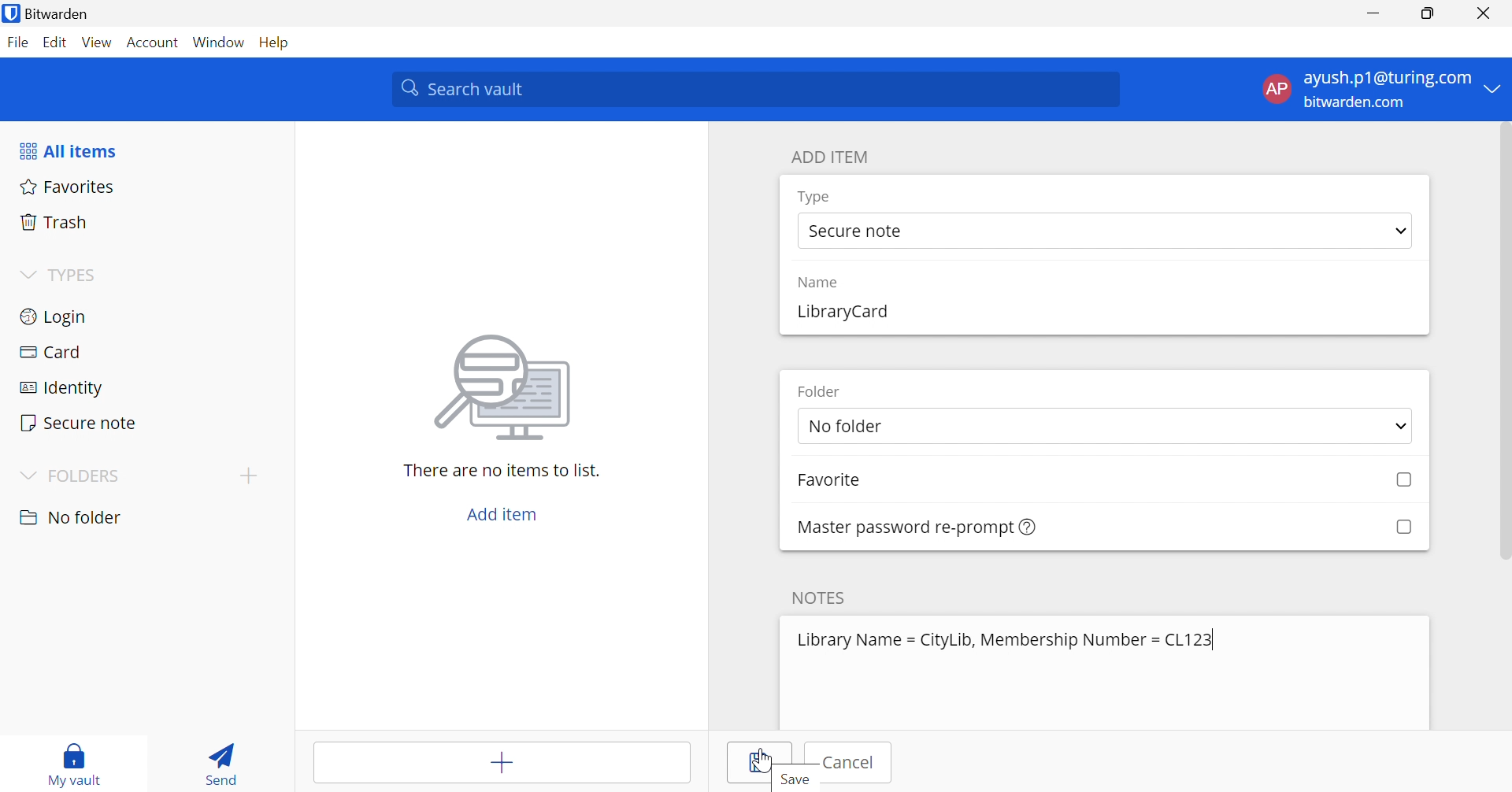  Describe the element at coordinates (57, 43) in the screenshot. I see `Edit` at that location.